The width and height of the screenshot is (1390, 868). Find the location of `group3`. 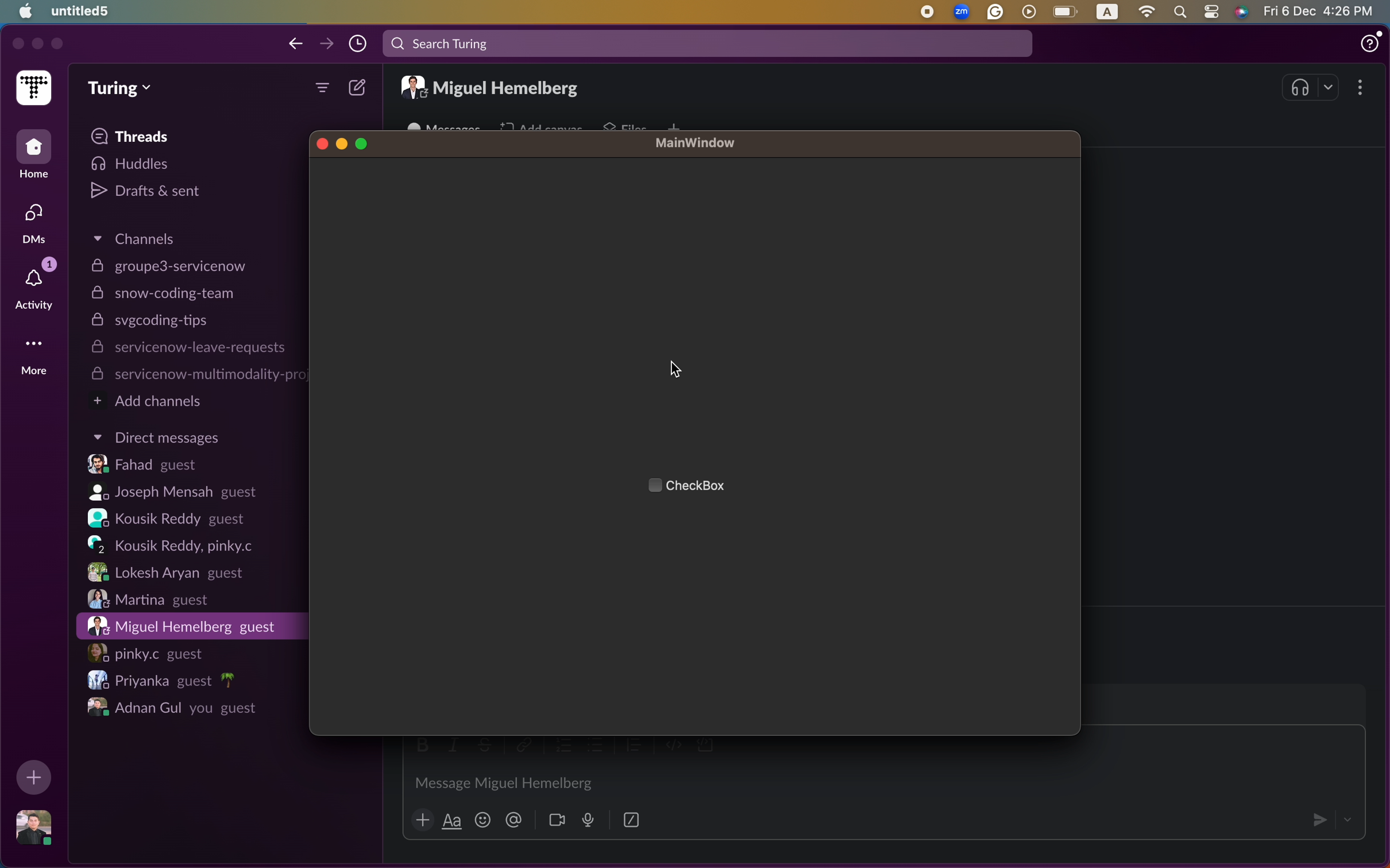

group3 is located at coordinates (168, 266).